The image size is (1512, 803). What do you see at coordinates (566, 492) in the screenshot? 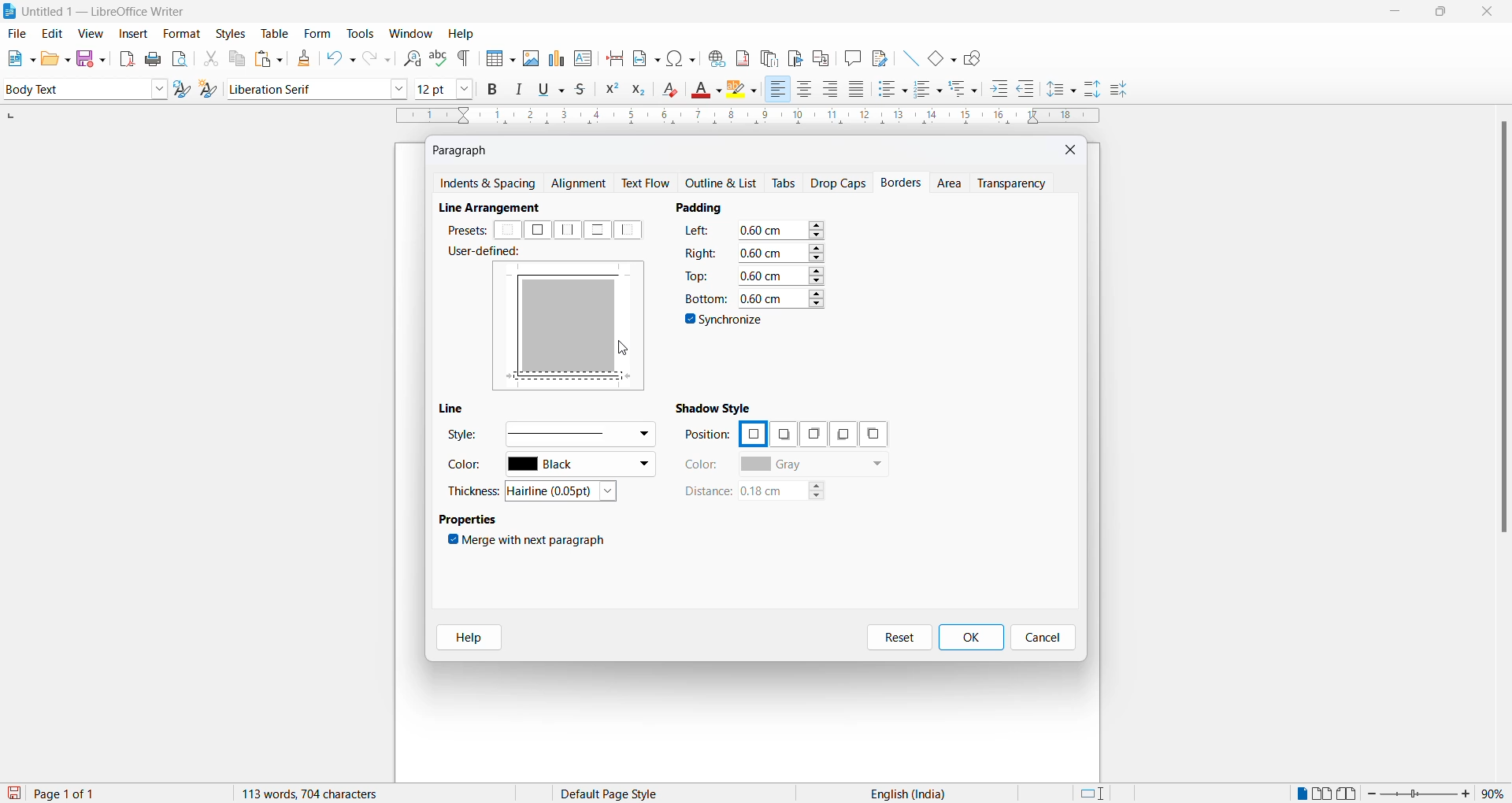
I see `thickness options` at bounding box center [566, 492].